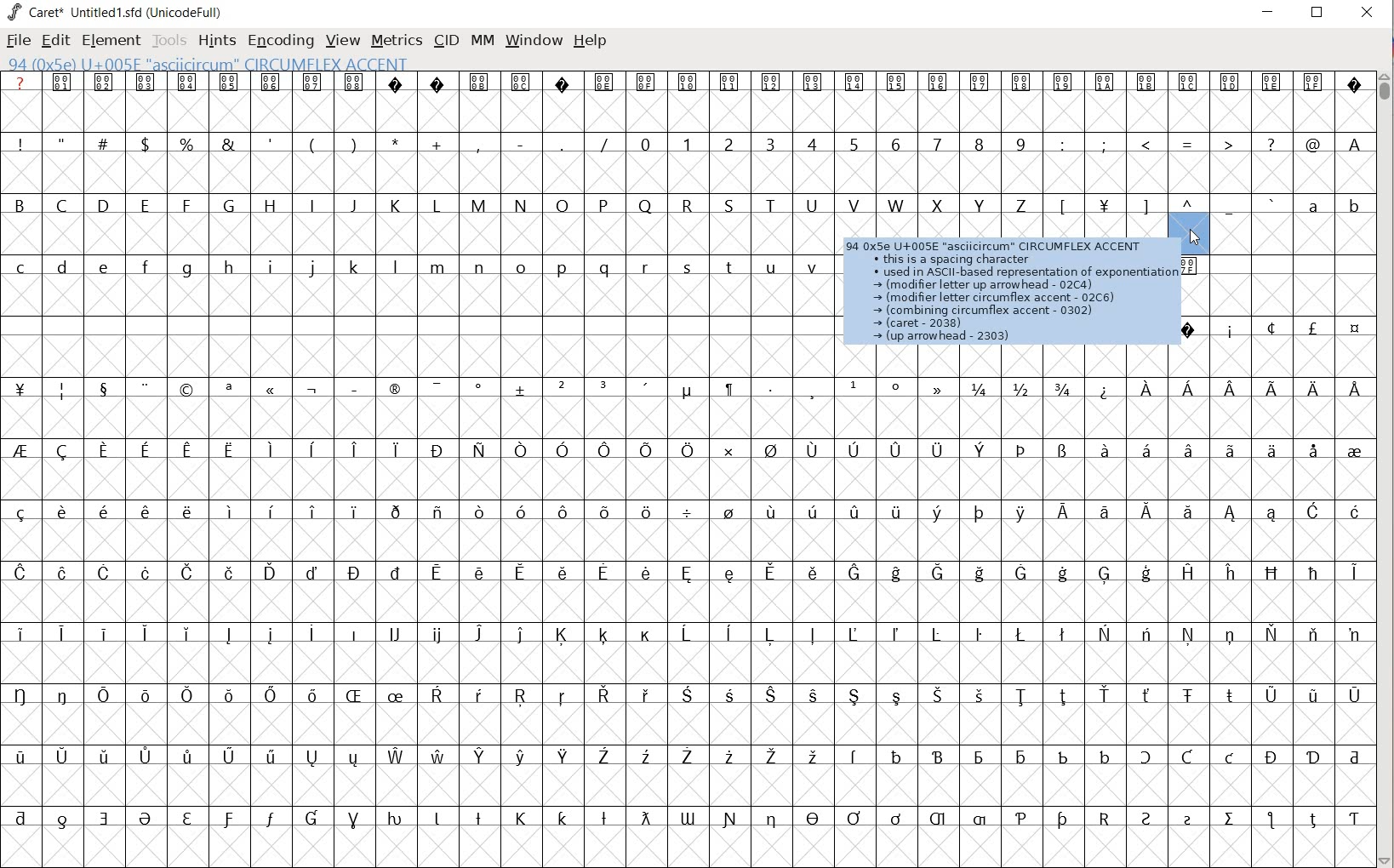 This screenshot has height=868, width=1394. Describe the element at coordinates (1269, 11) in the screenshot. I see `MINIMIZE` at that location.